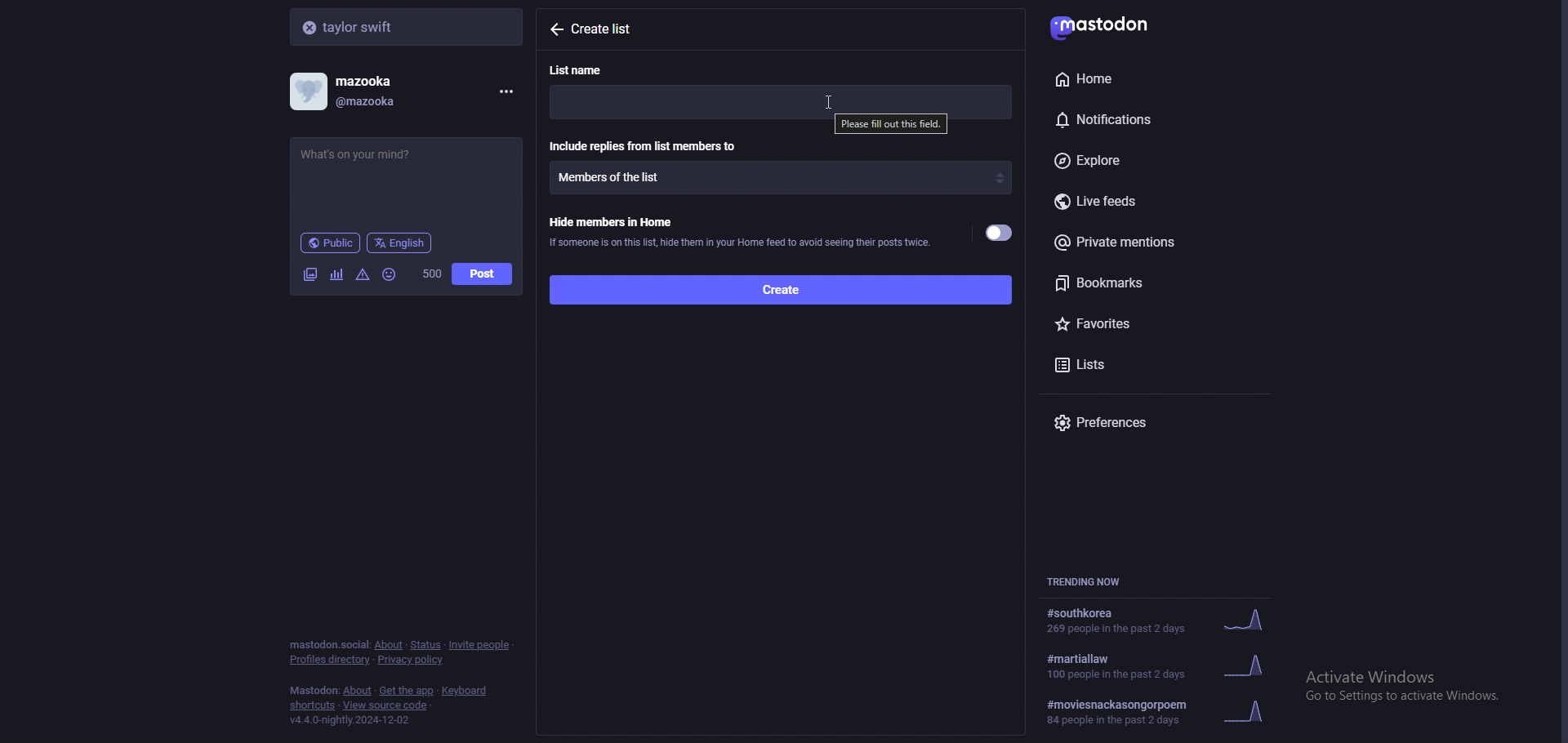  I want to click on profile, so click(356, 91).